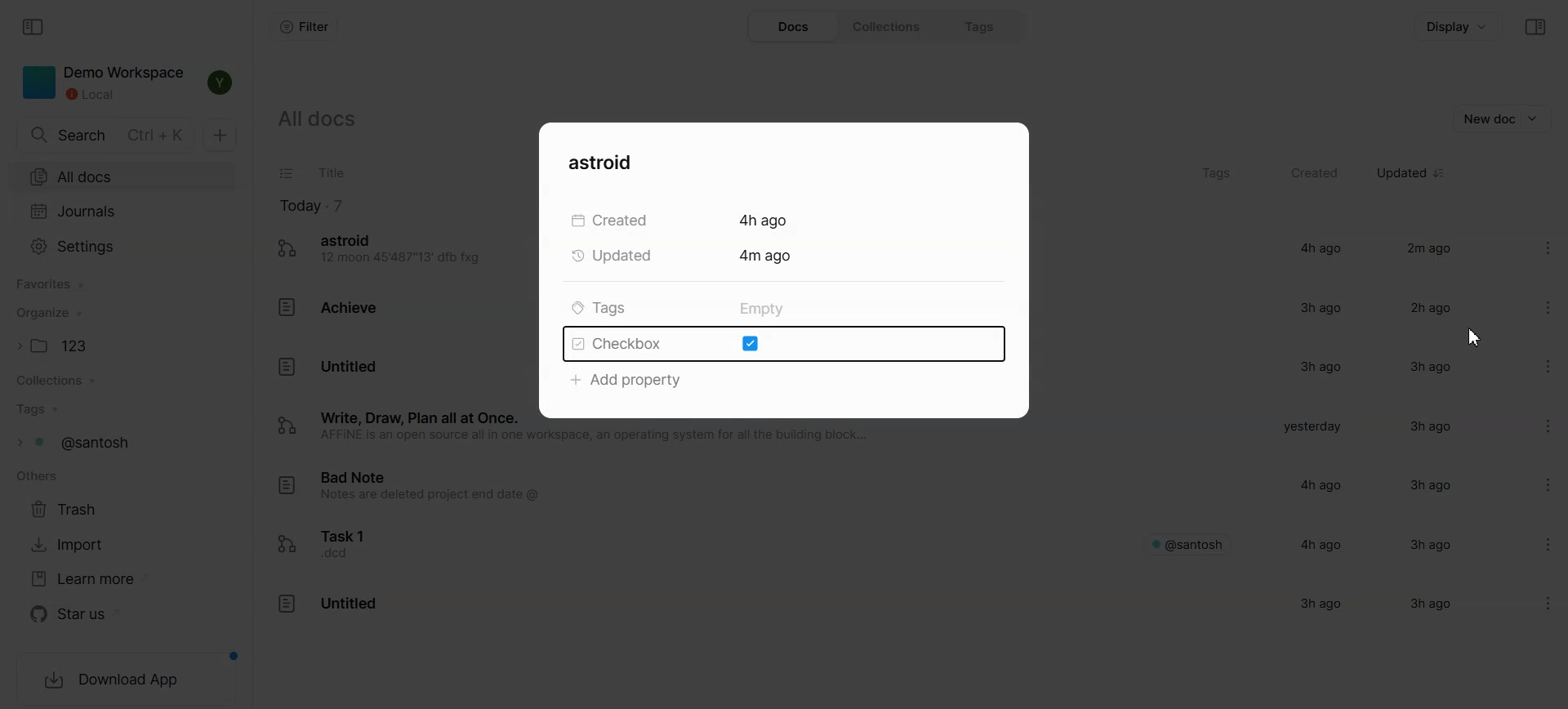 The image size is (1568, 709). What do you see at coordinates (982, 27) in the screenshot?
I see `Tags` at bounding box center [982, 27].